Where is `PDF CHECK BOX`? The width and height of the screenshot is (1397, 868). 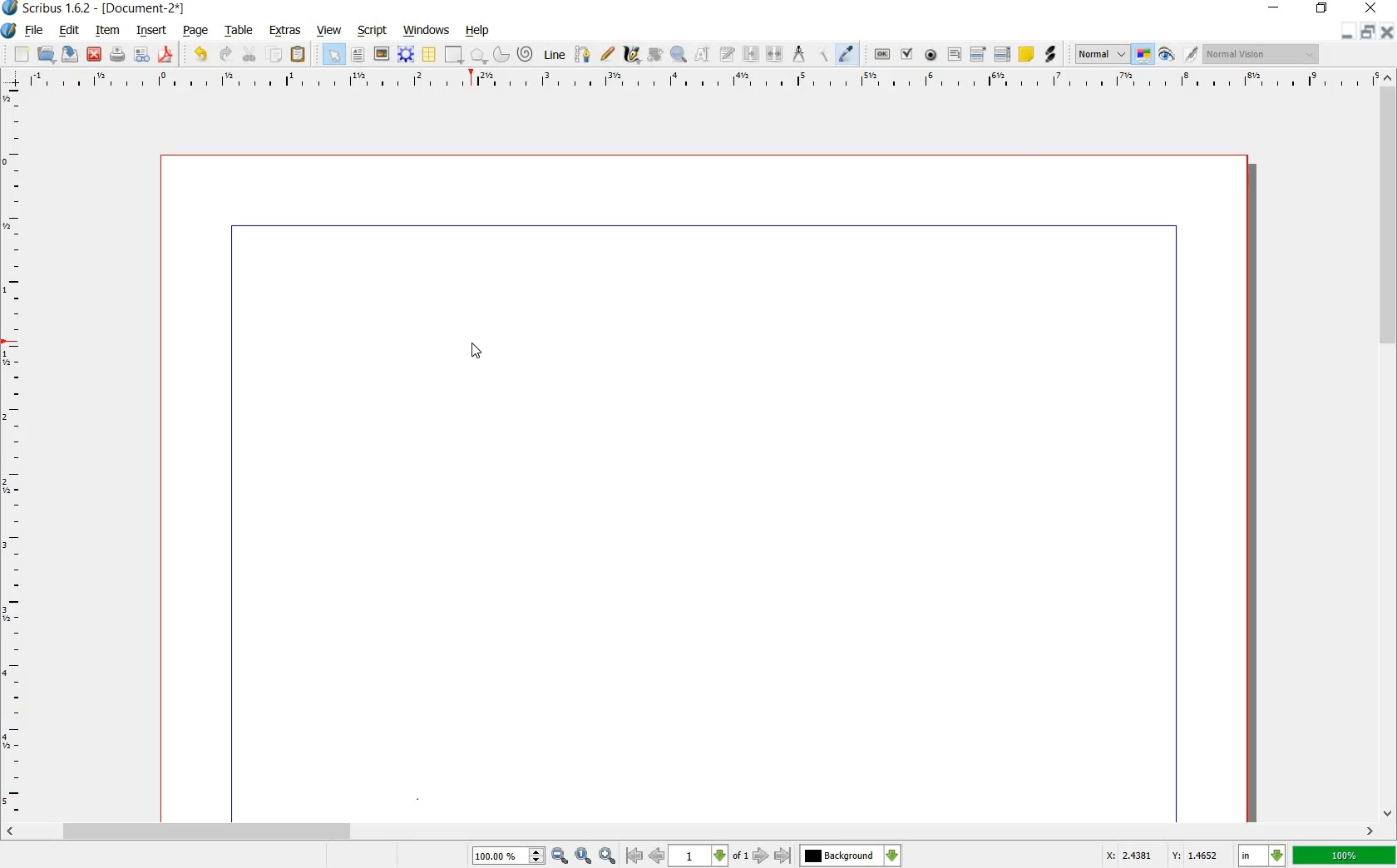 PDF CHECK BOX is located at coordinates (907, 54).